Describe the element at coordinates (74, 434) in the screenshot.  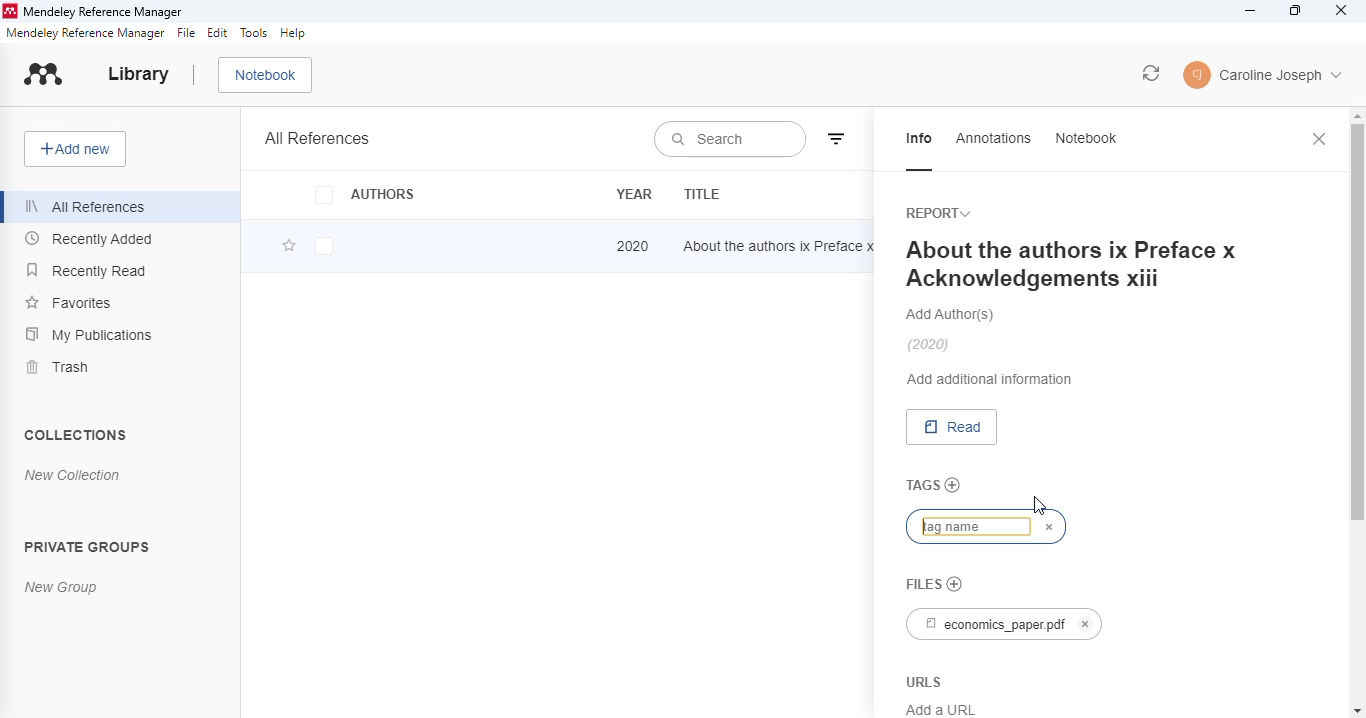
I see `collections` at that location.